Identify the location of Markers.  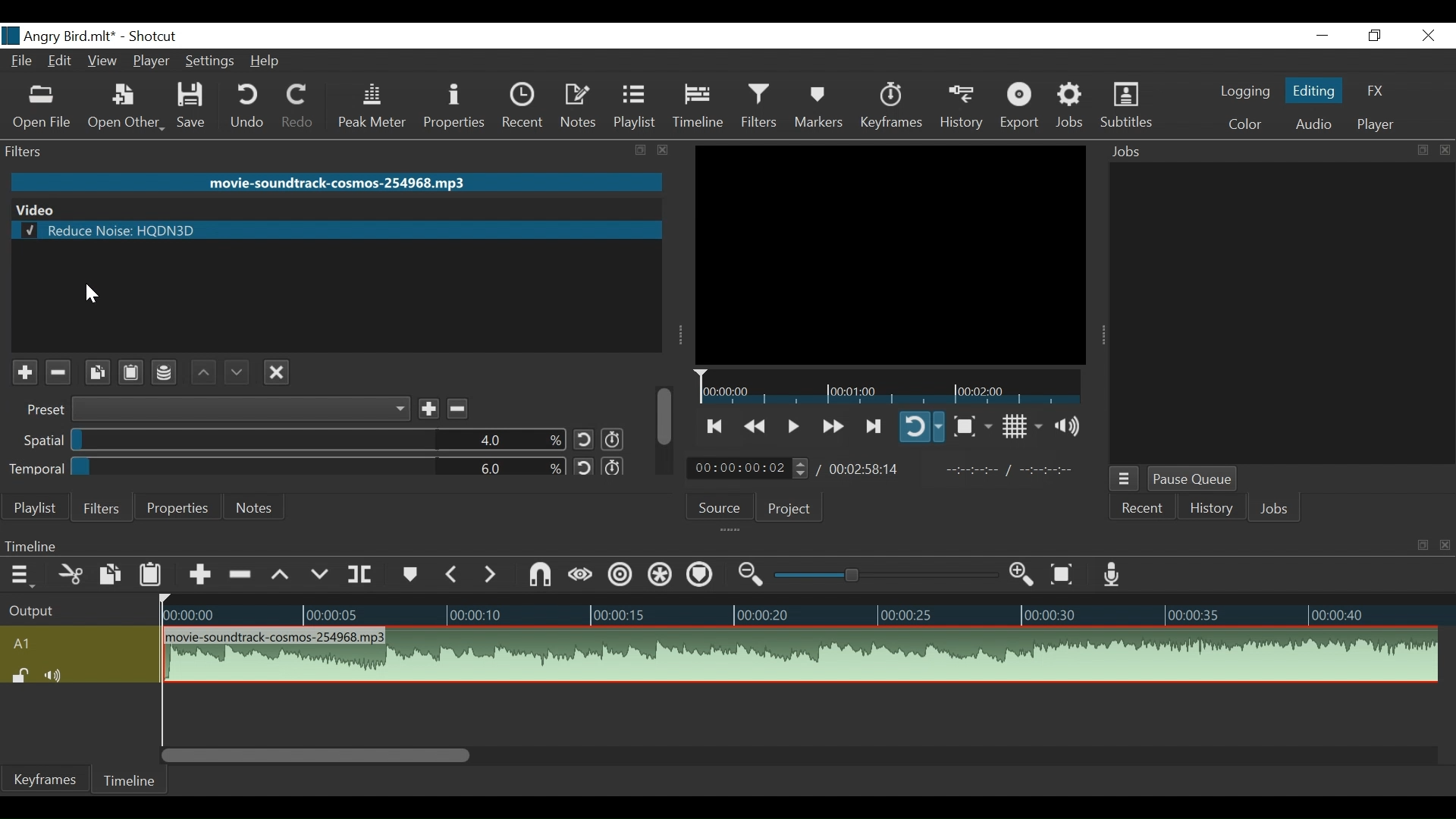
(409, 573).